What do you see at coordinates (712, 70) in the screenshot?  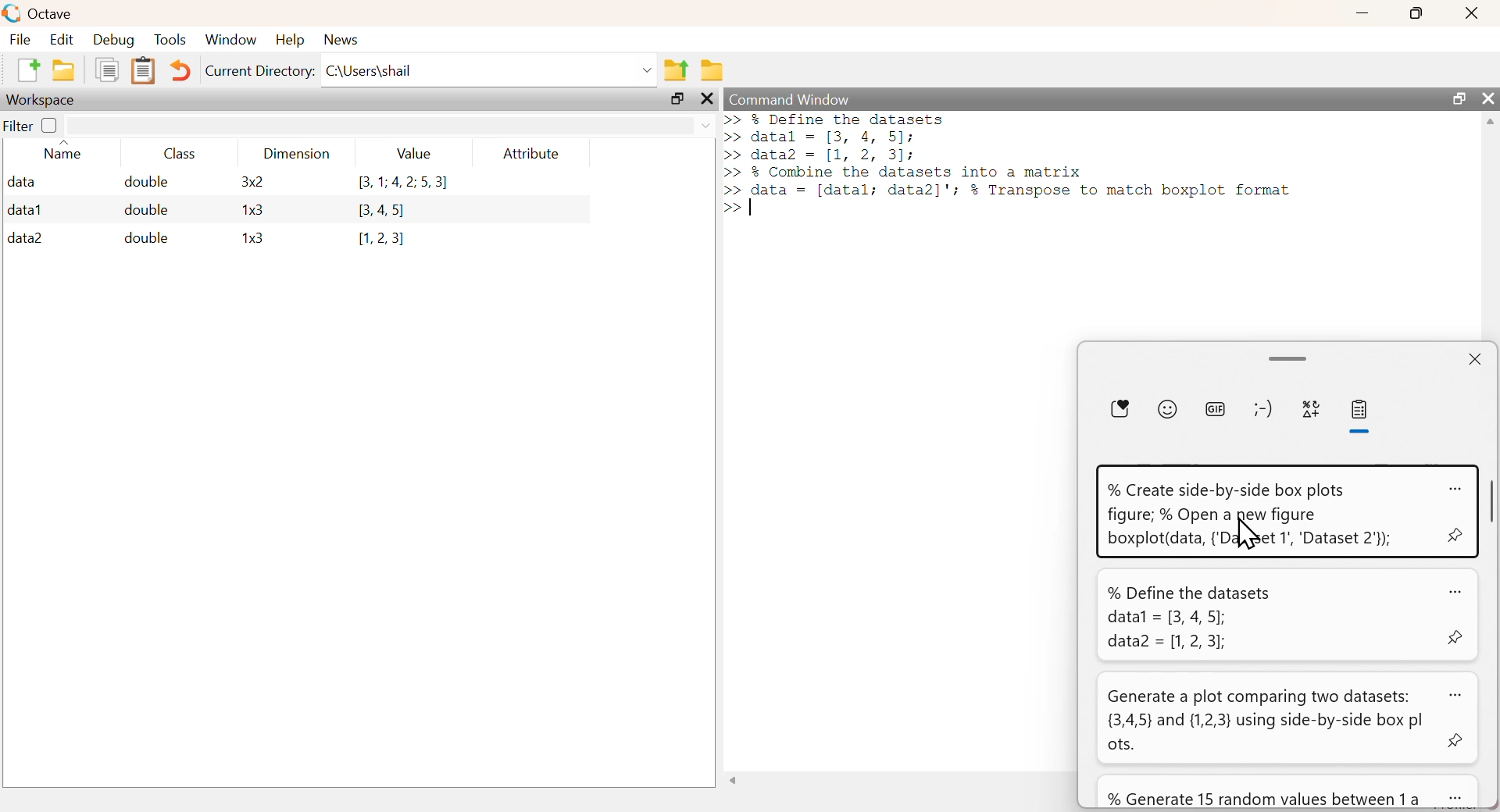 I see `Folder` at bounding box center [712, 70].